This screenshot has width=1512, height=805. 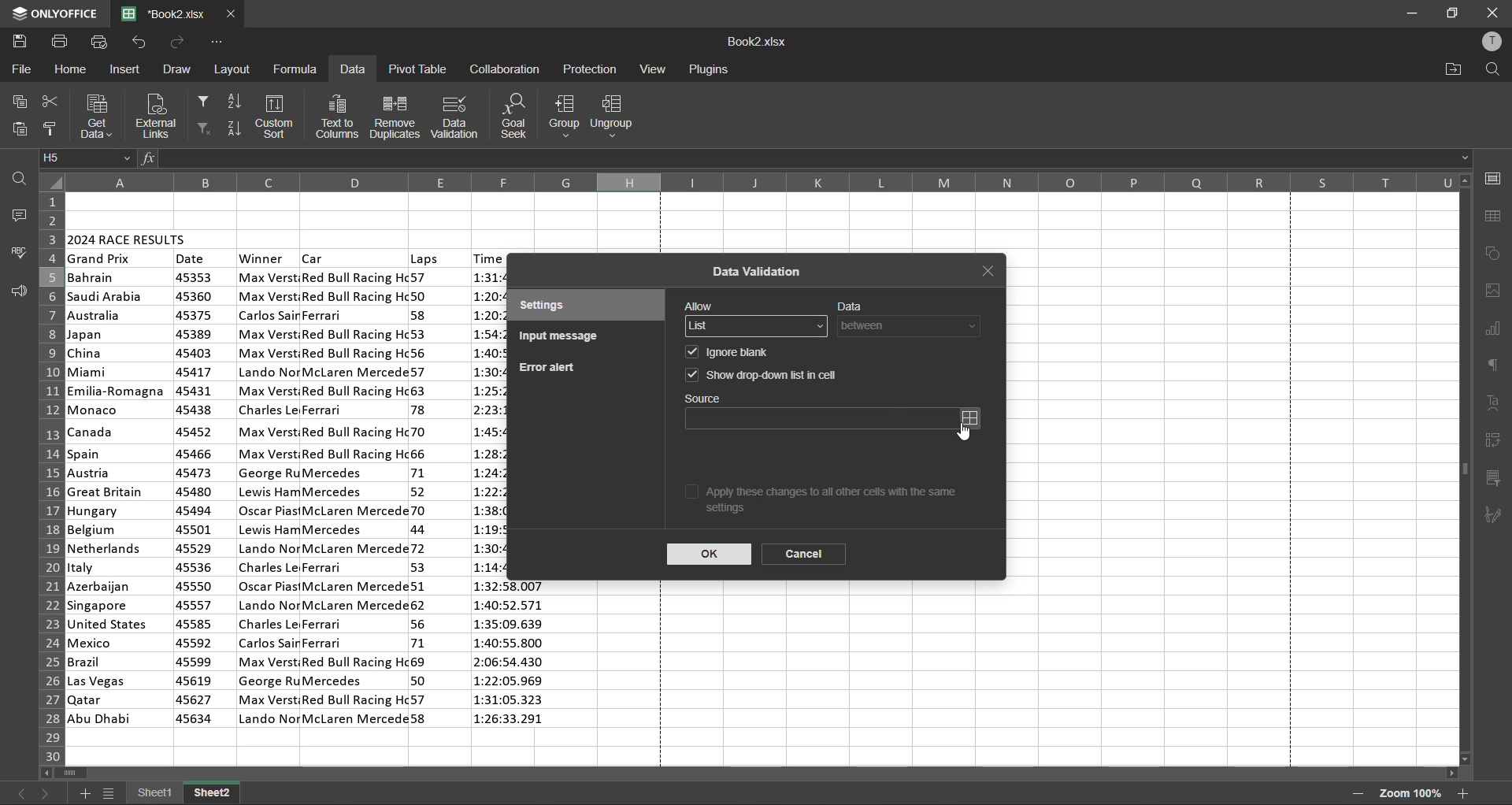 What do you see at coordinates (235, 70) in the screenshot?
I see `layout` at bounding box center [235, 70].